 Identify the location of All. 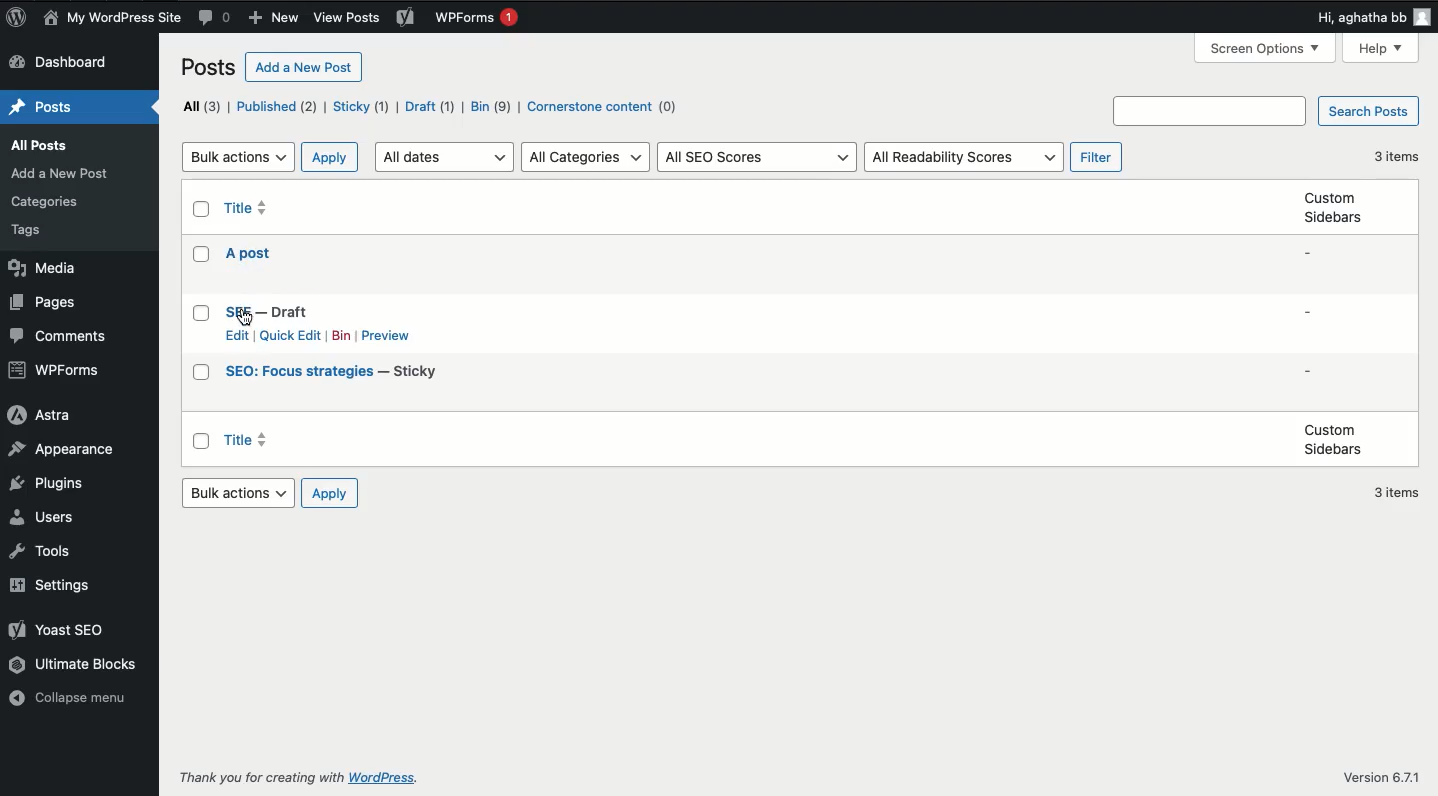
(204, 107).